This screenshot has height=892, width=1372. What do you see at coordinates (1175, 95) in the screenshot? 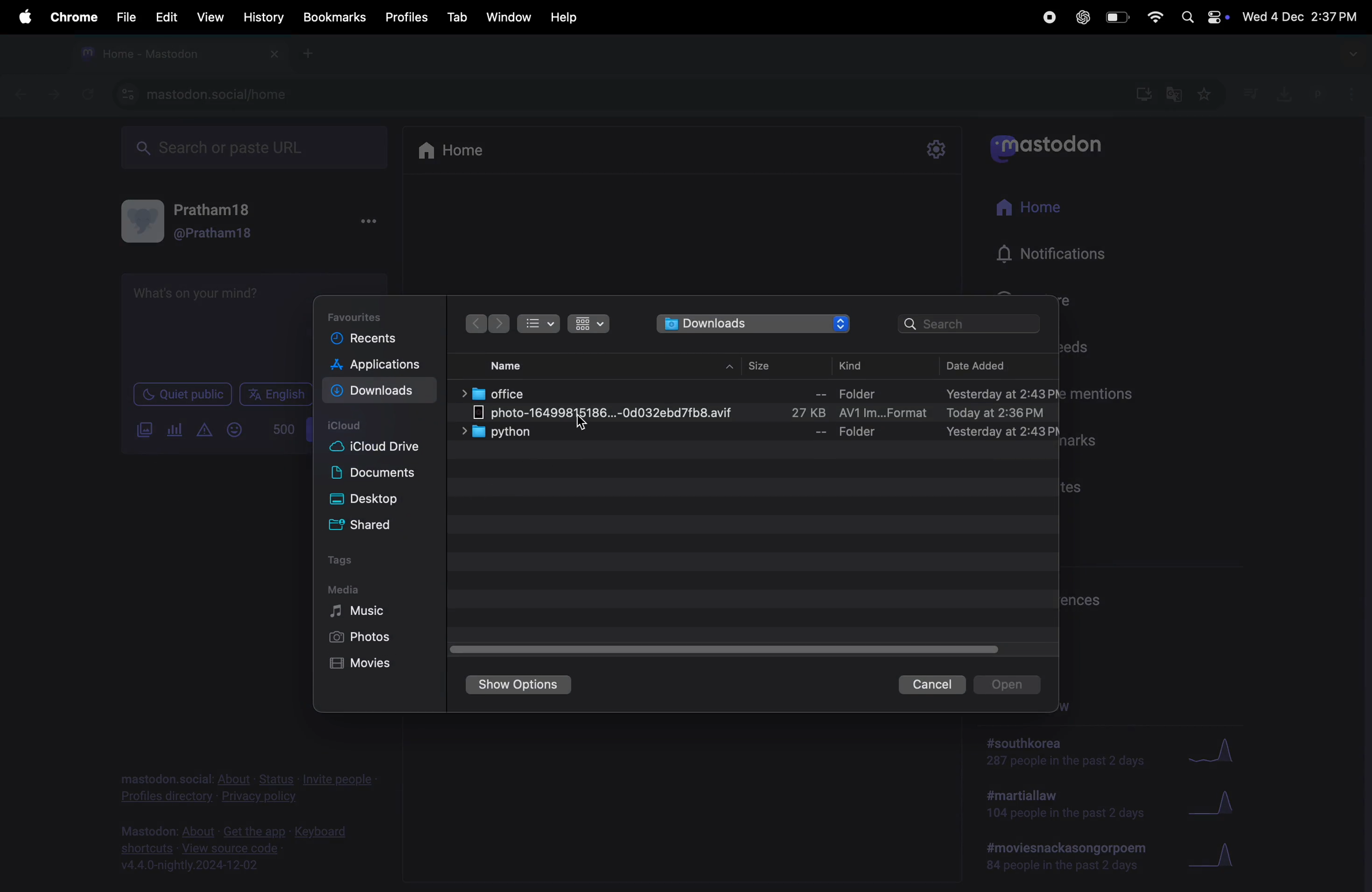
I see `translates` at bounding box center [1175, 95].